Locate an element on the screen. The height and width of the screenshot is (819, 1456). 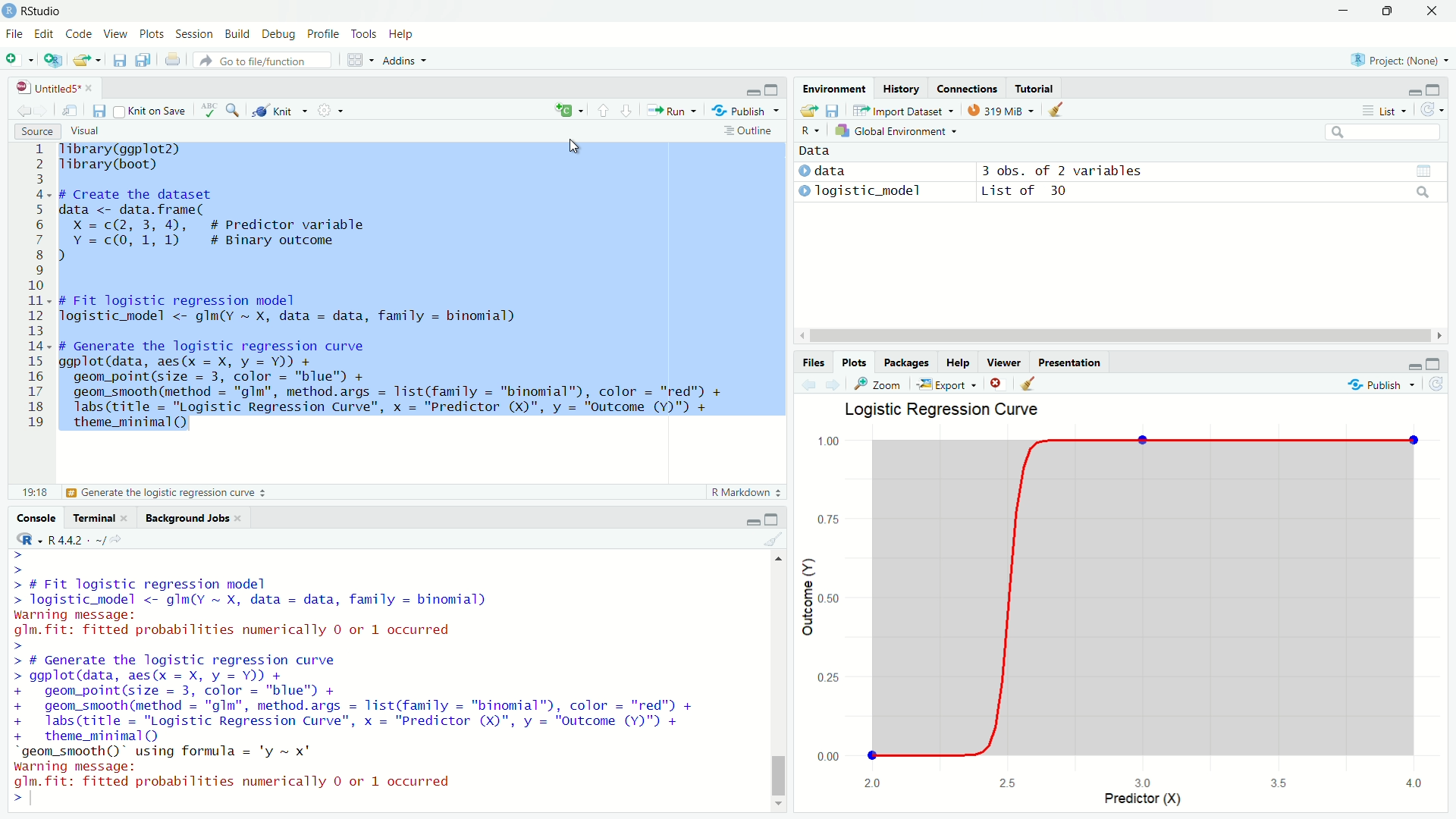
Run is located at coordinates (672, 110).